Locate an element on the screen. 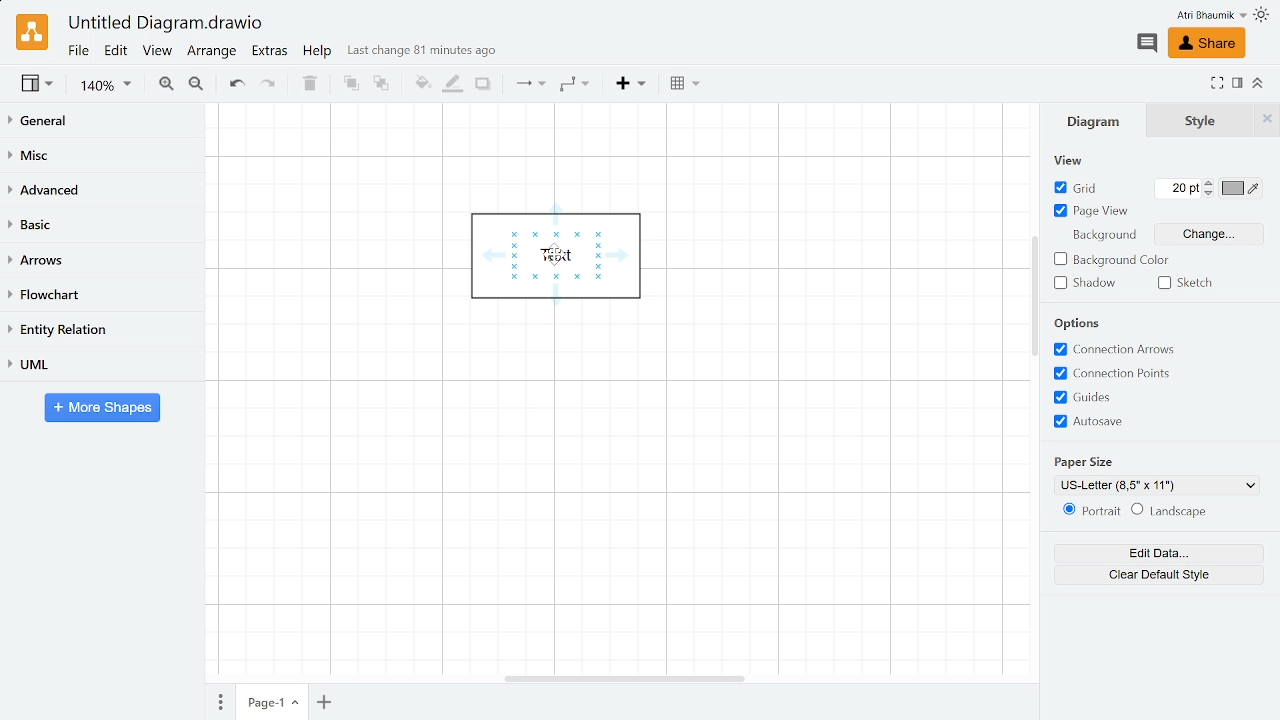 This screenshot has height=720, width=1280. Current window is located at coordinates (164, 24).